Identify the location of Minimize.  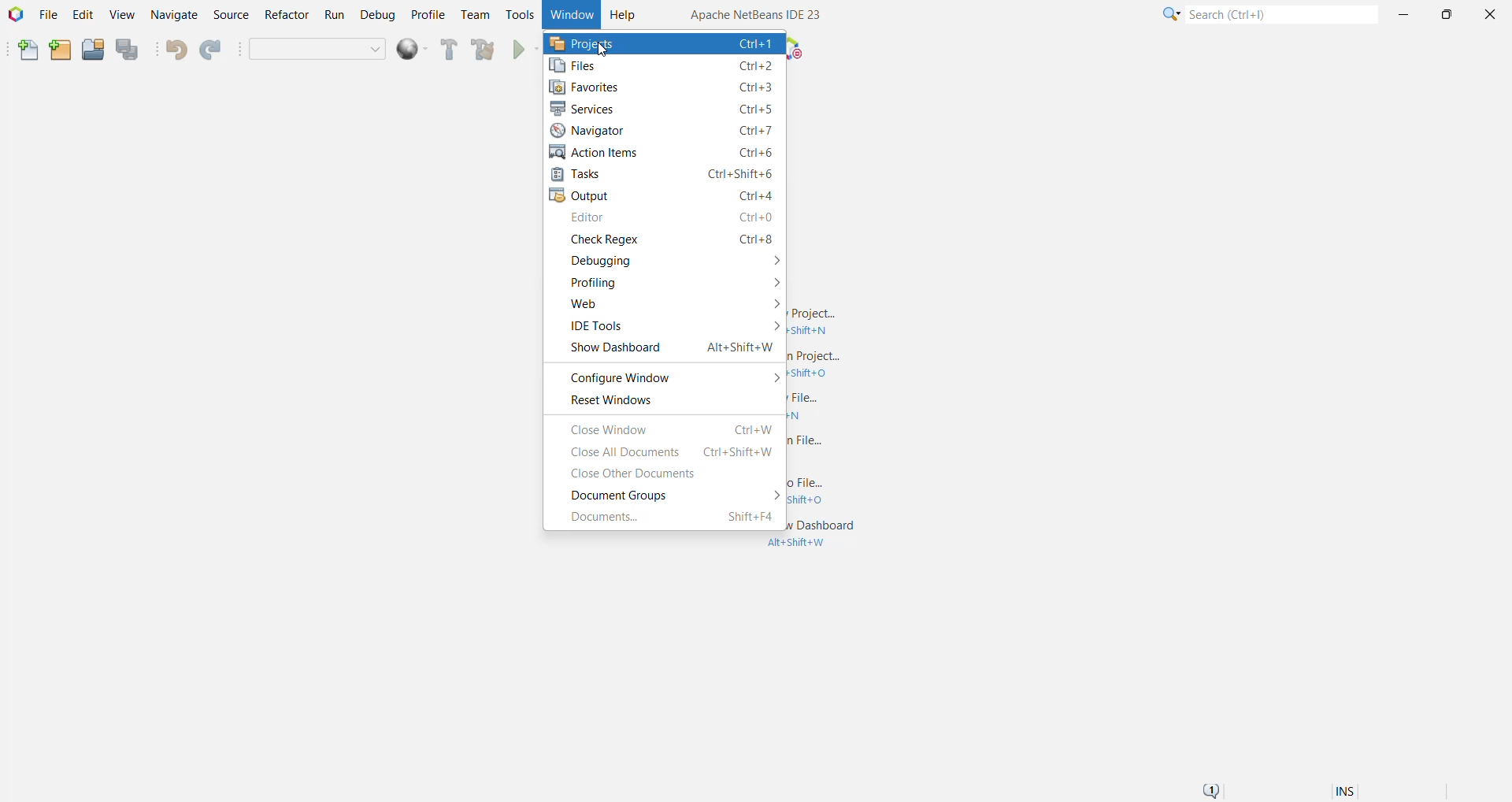
(1405, 16).